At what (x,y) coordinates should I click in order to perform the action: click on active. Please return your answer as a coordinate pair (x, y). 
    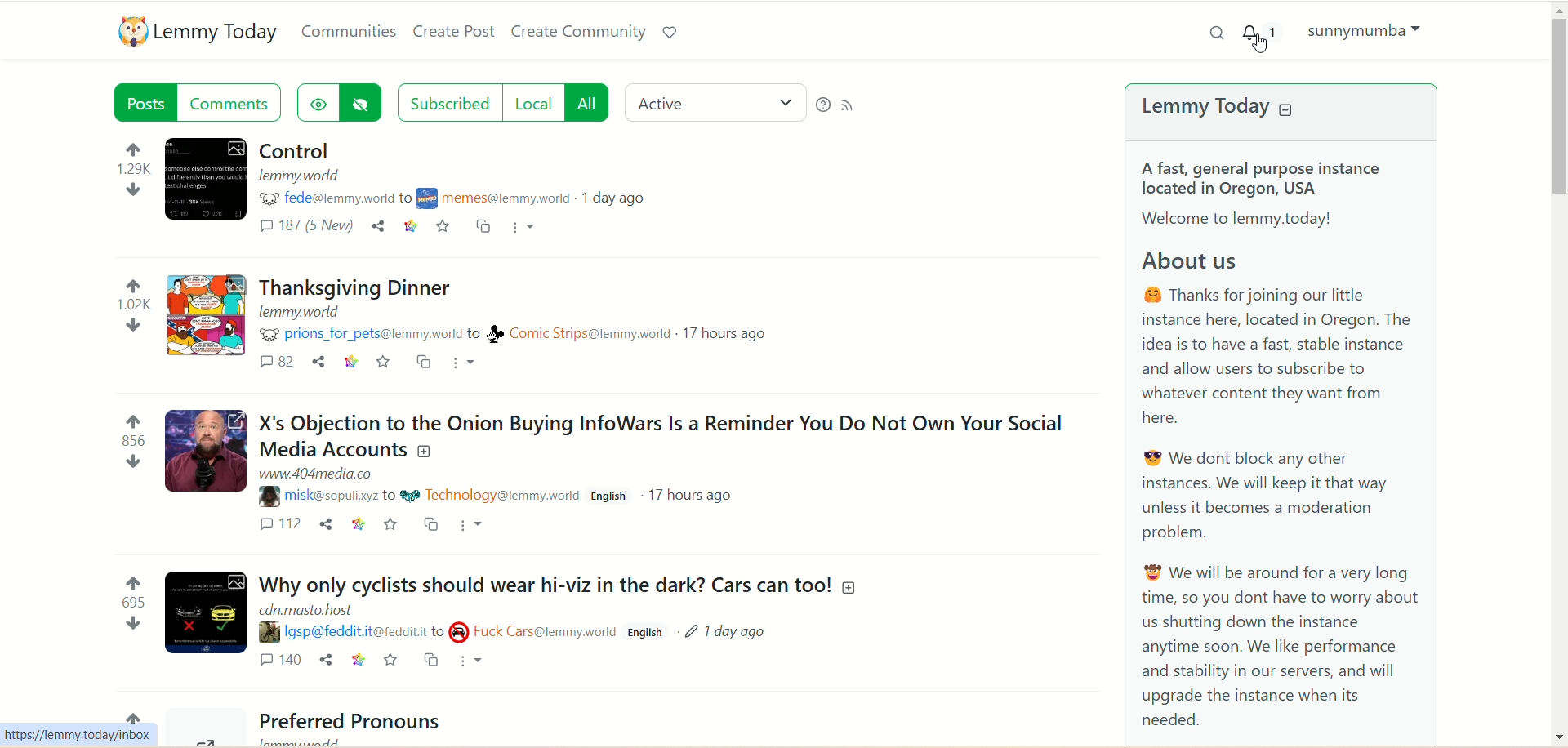
    Looking at the image, I should click on (714, 103).